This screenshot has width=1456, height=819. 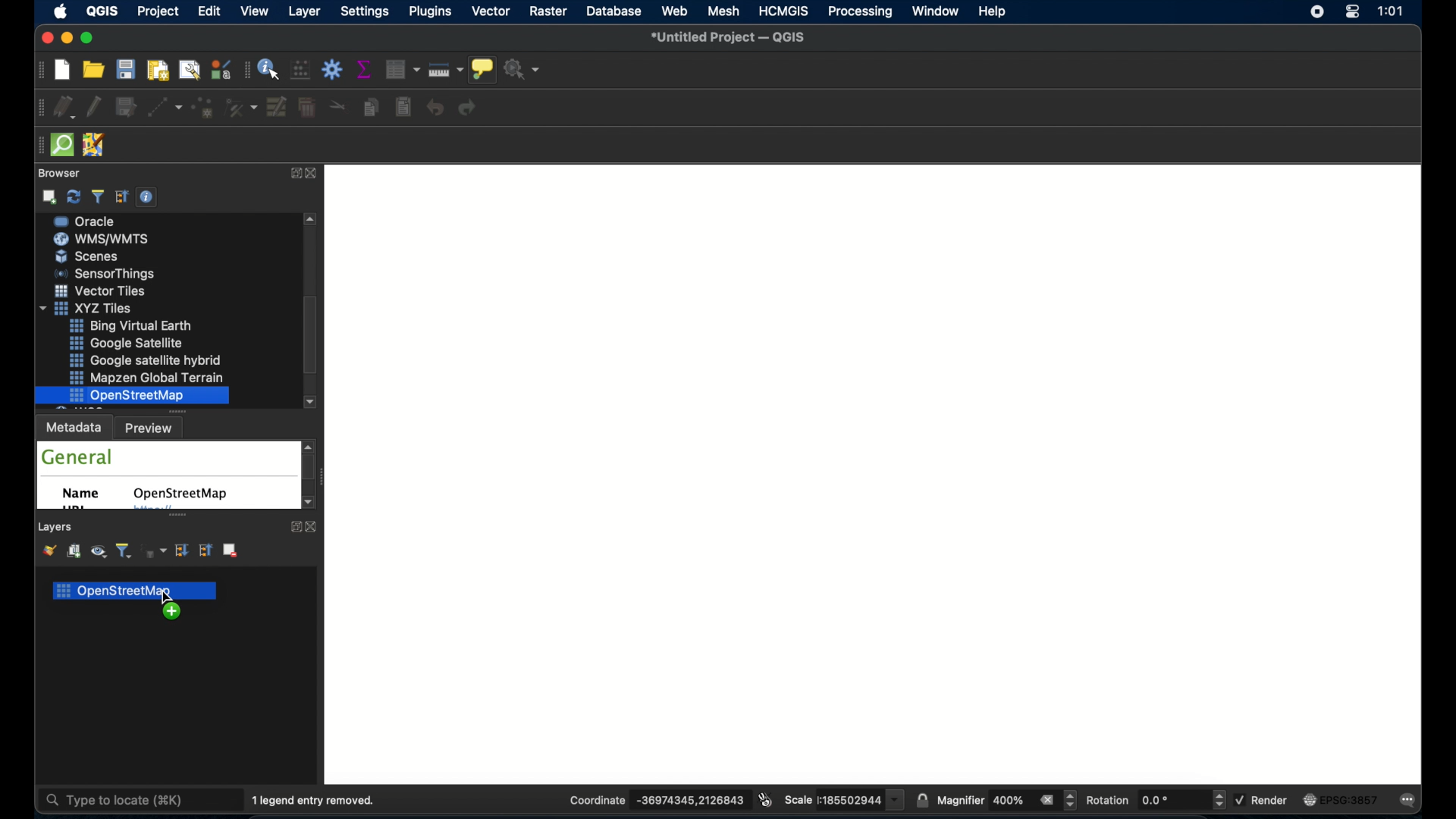 I want to click on mesh, so click(x=724, y=12).